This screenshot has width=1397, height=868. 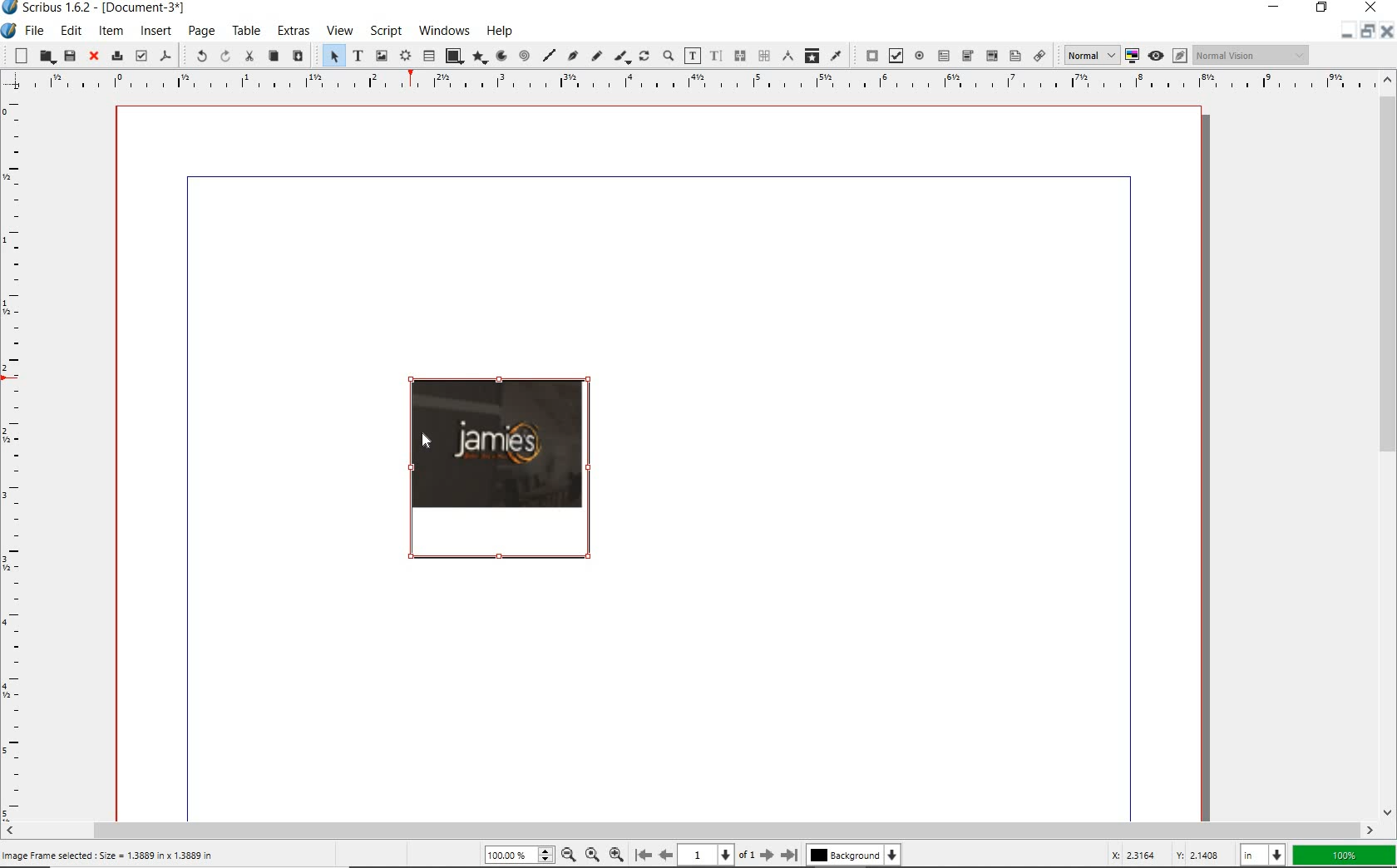 I want to click on close, so click(x=1387, y=31).